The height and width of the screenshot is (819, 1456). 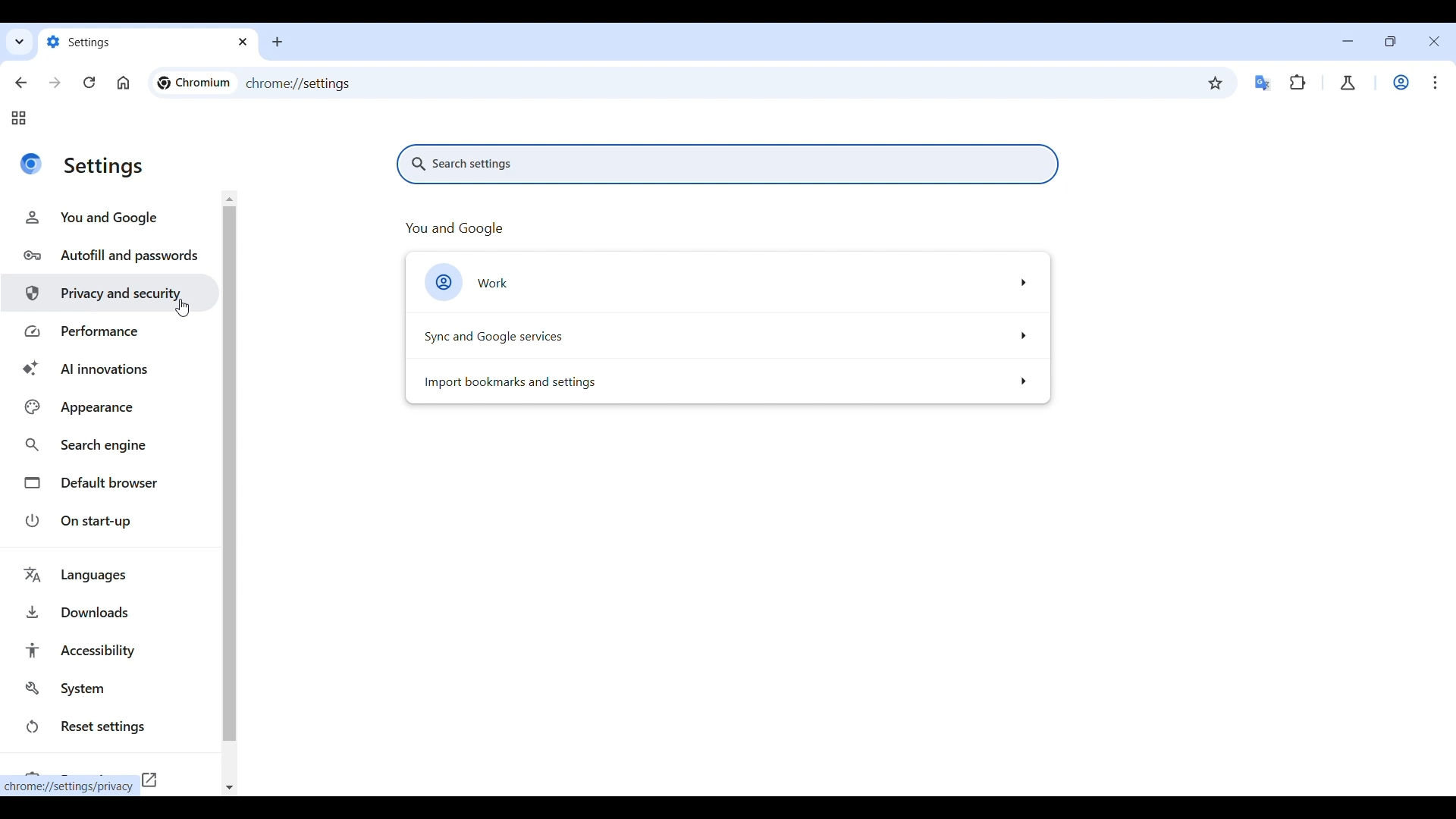 What do you see at coordinates (230, 473) in the screenshot?
I see `Vertical slide bar` at bounding box center [230, 473].